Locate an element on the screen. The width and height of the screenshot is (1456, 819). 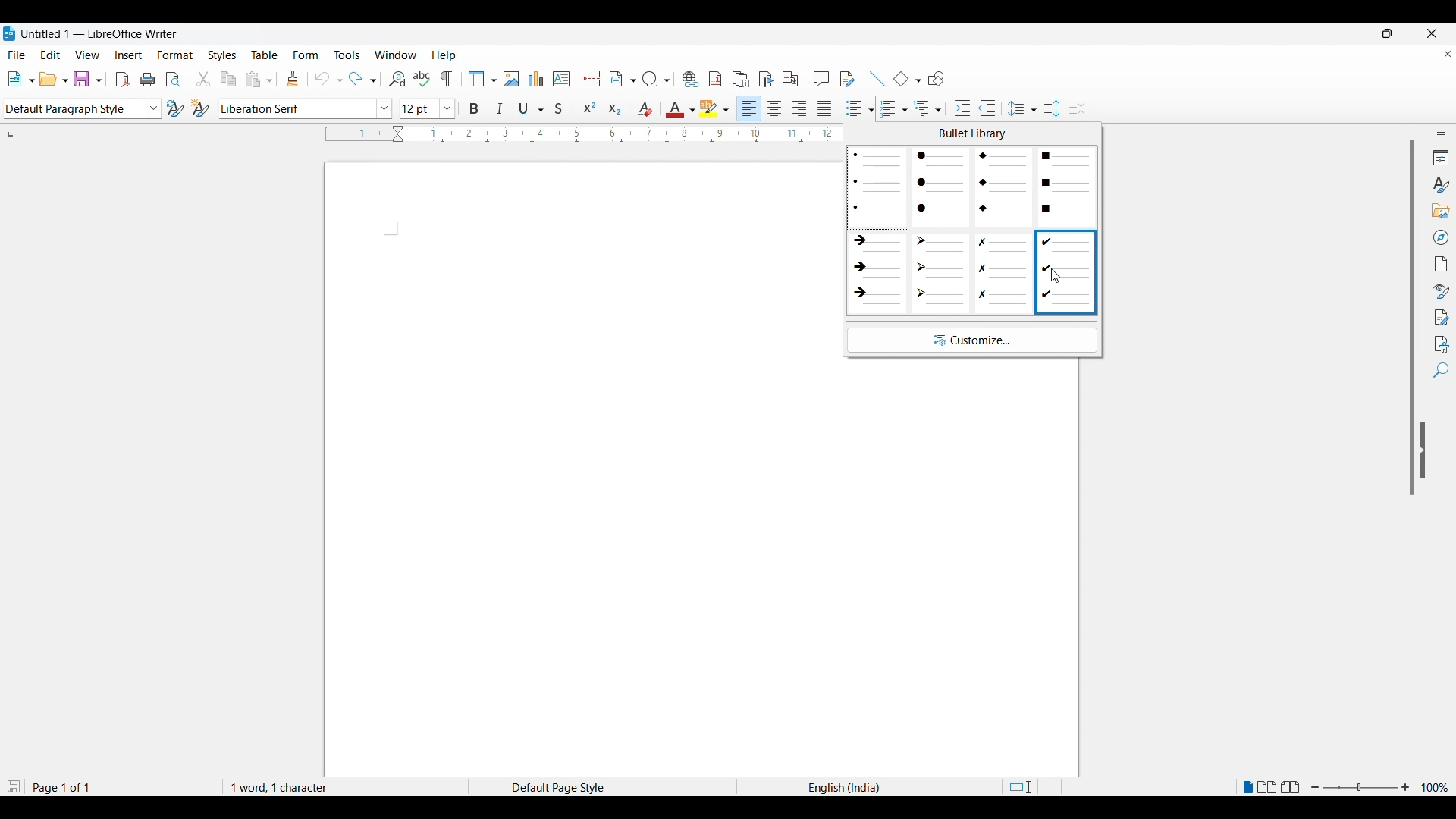
undo is located at coordinates (328, 79).